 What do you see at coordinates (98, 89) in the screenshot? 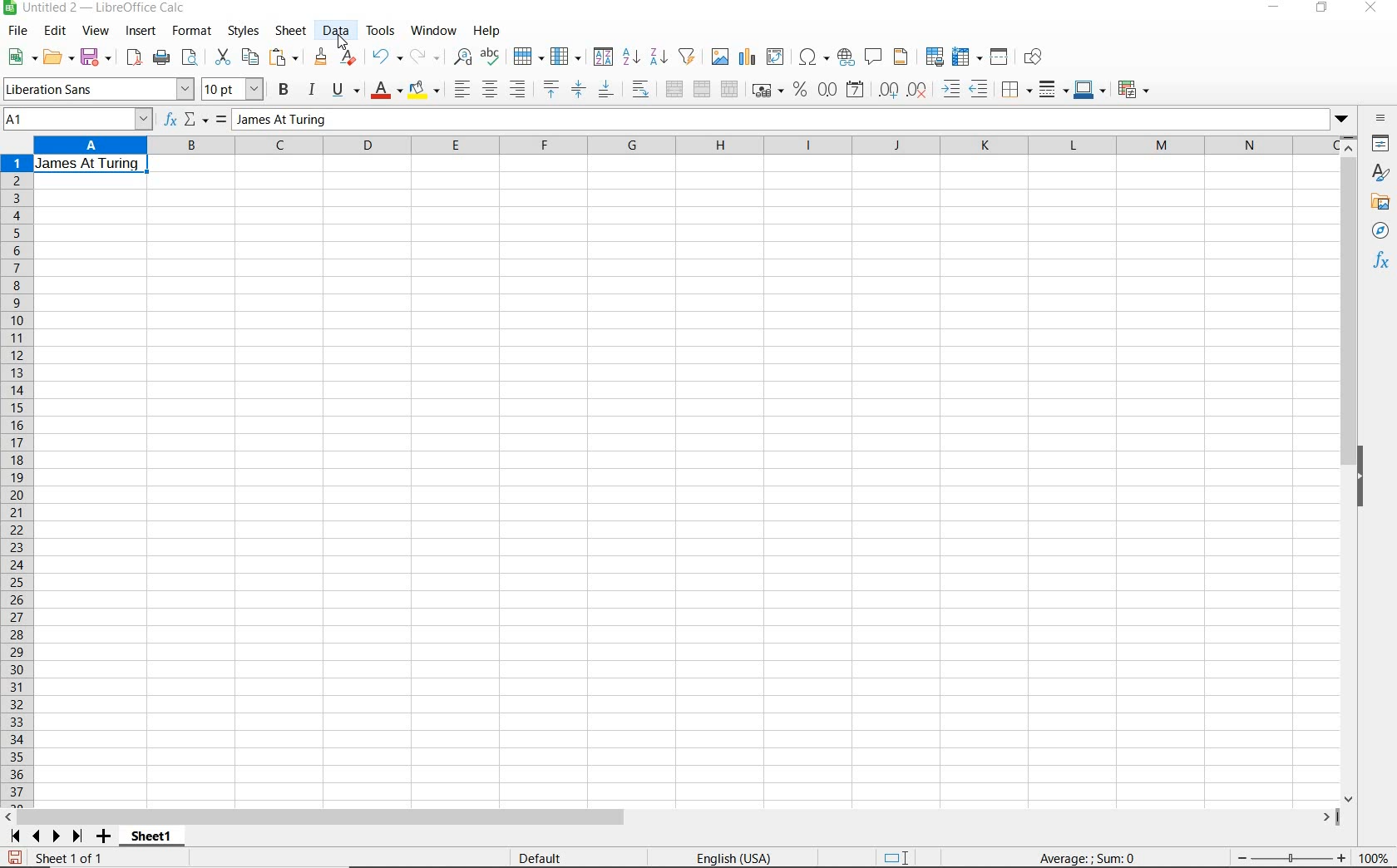
I see `font name` at bounding box center [98, 89].